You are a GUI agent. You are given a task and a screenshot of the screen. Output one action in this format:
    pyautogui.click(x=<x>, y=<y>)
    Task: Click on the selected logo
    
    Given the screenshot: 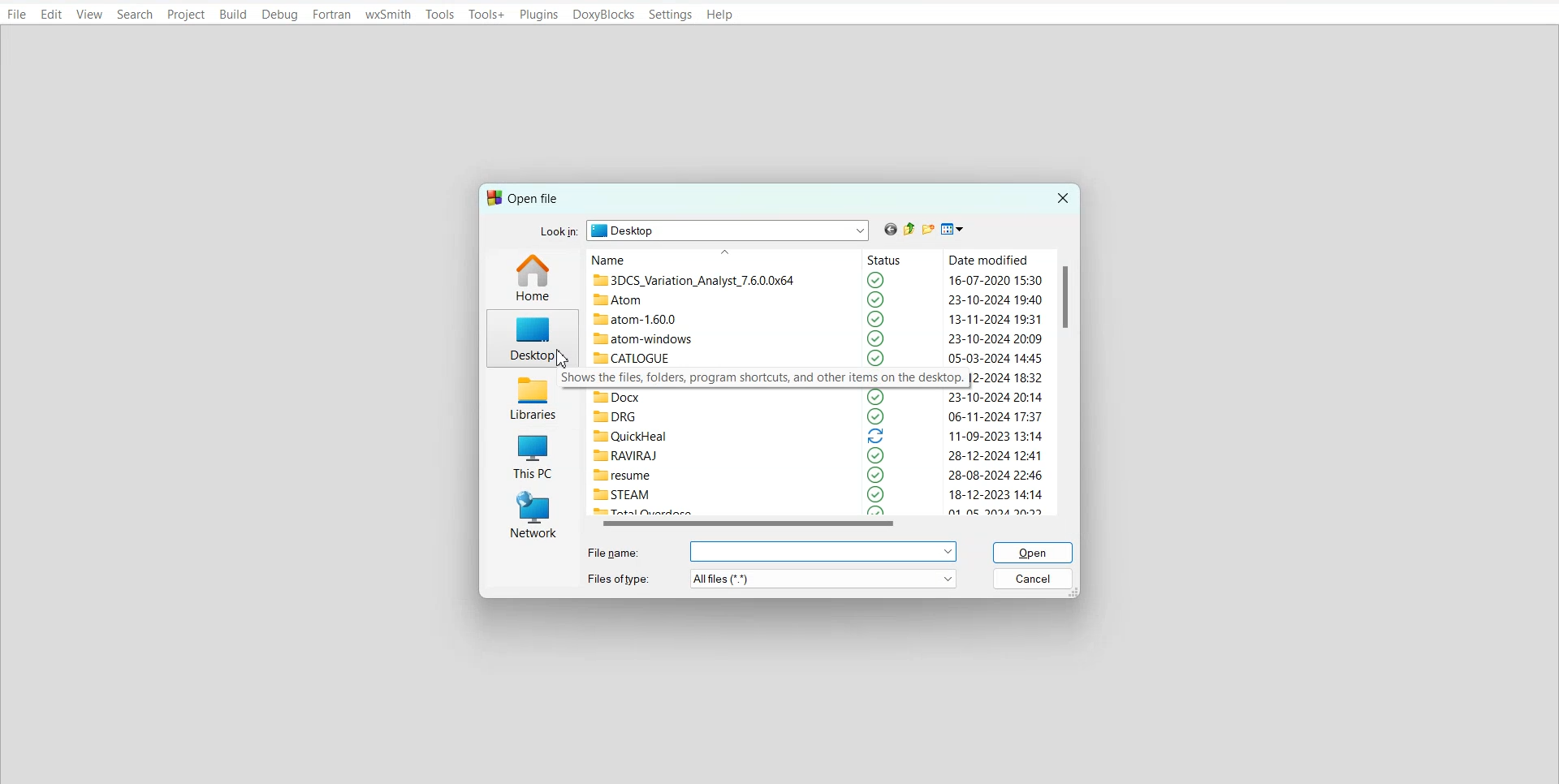 What is the action you would take?
    pyautogui.click(x=879, y=338)
    